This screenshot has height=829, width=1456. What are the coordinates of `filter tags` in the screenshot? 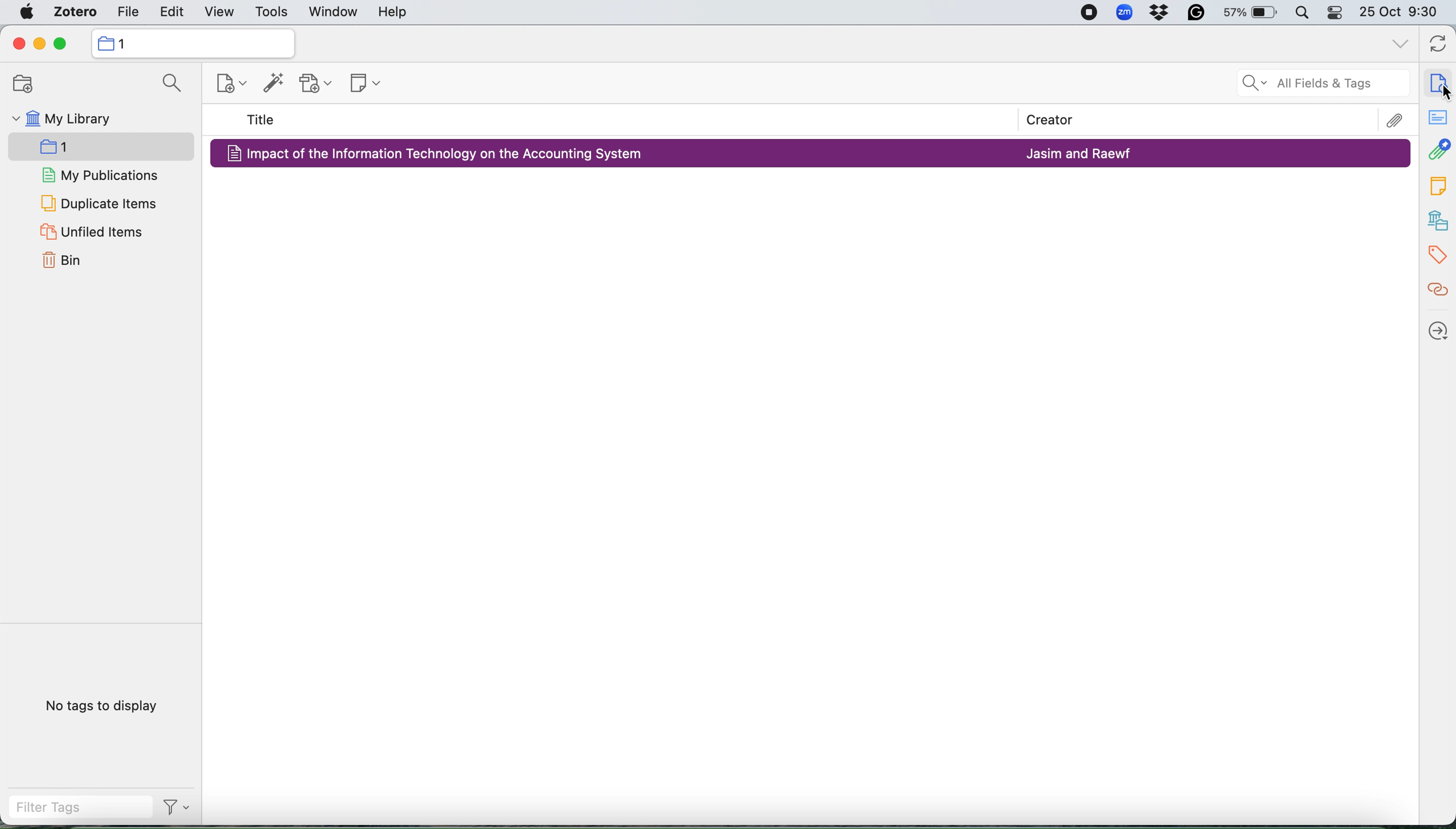 It's located at (73, 810).